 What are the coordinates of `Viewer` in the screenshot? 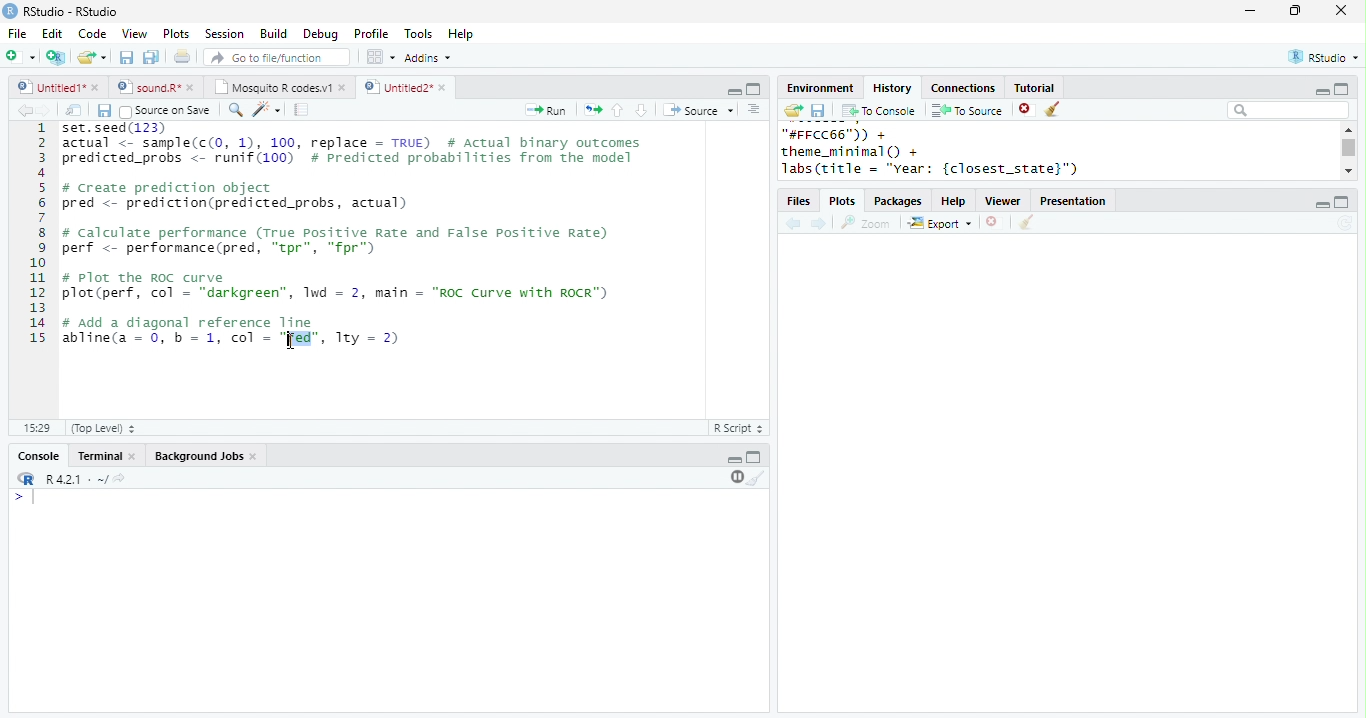 It's located at (1004, 202).